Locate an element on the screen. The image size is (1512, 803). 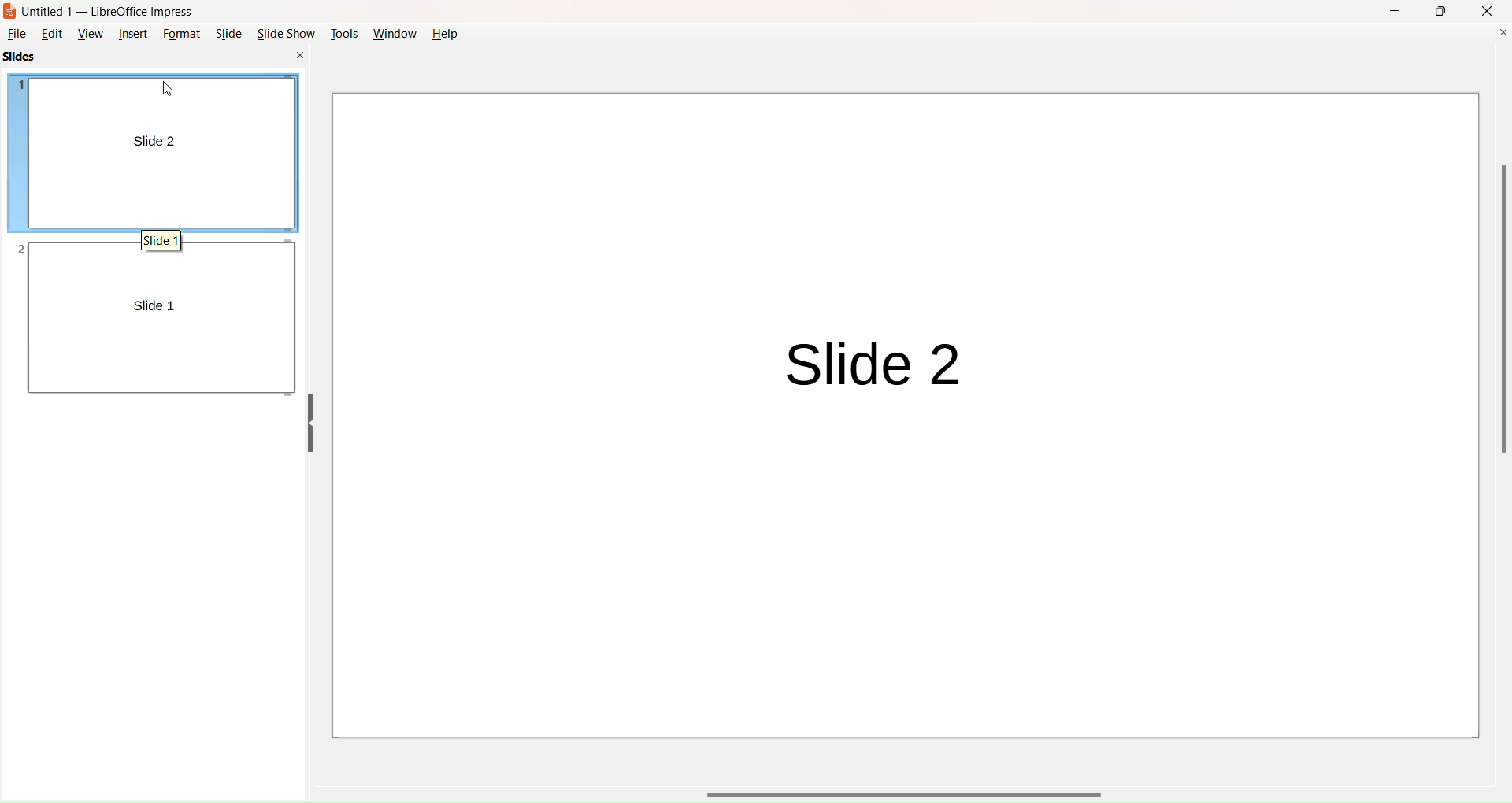
reordered slide is located at coordinates (159, 151).